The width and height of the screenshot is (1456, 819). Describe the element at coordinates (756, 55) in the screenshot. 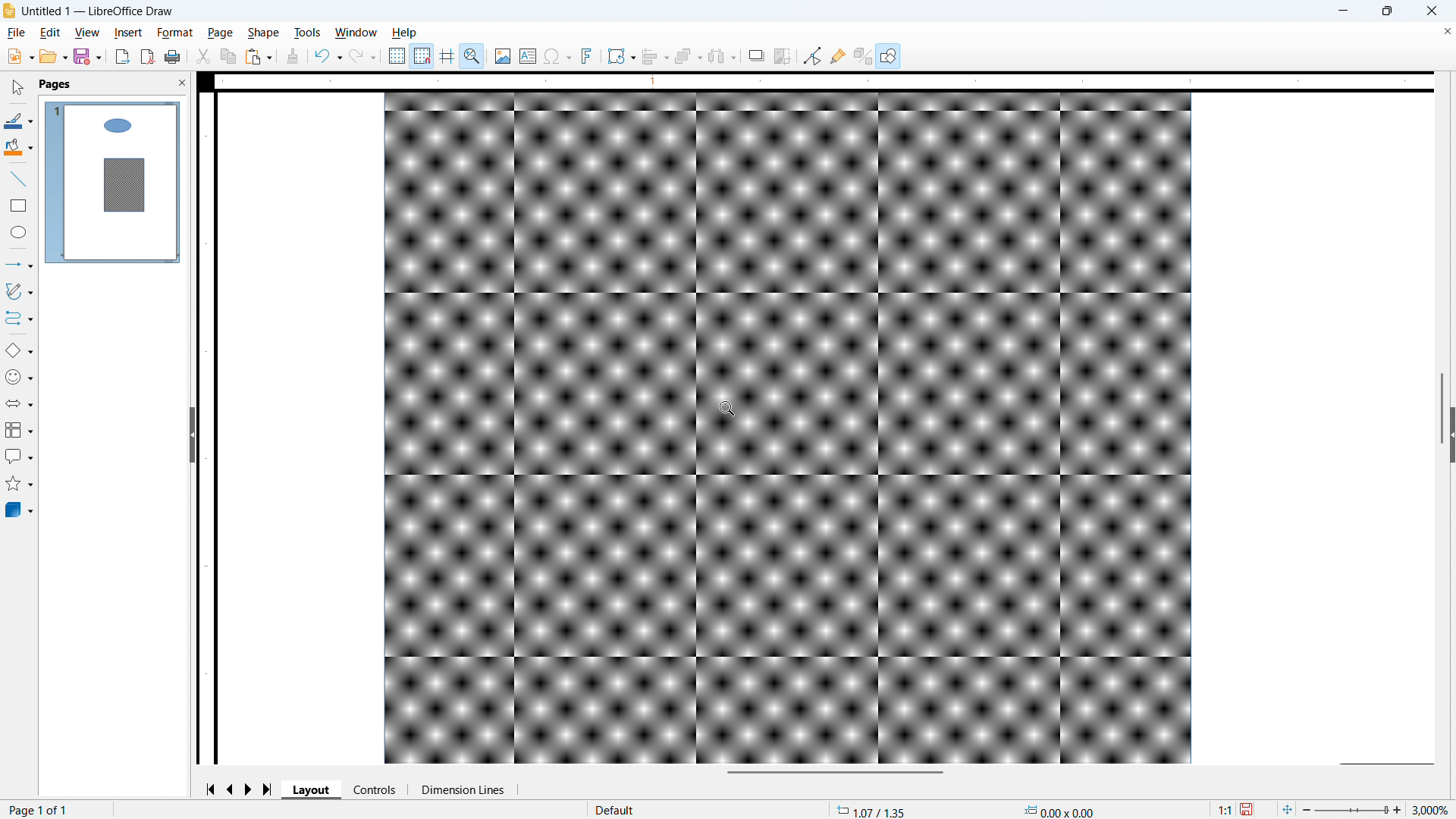

I see `Shadow ` at that location.